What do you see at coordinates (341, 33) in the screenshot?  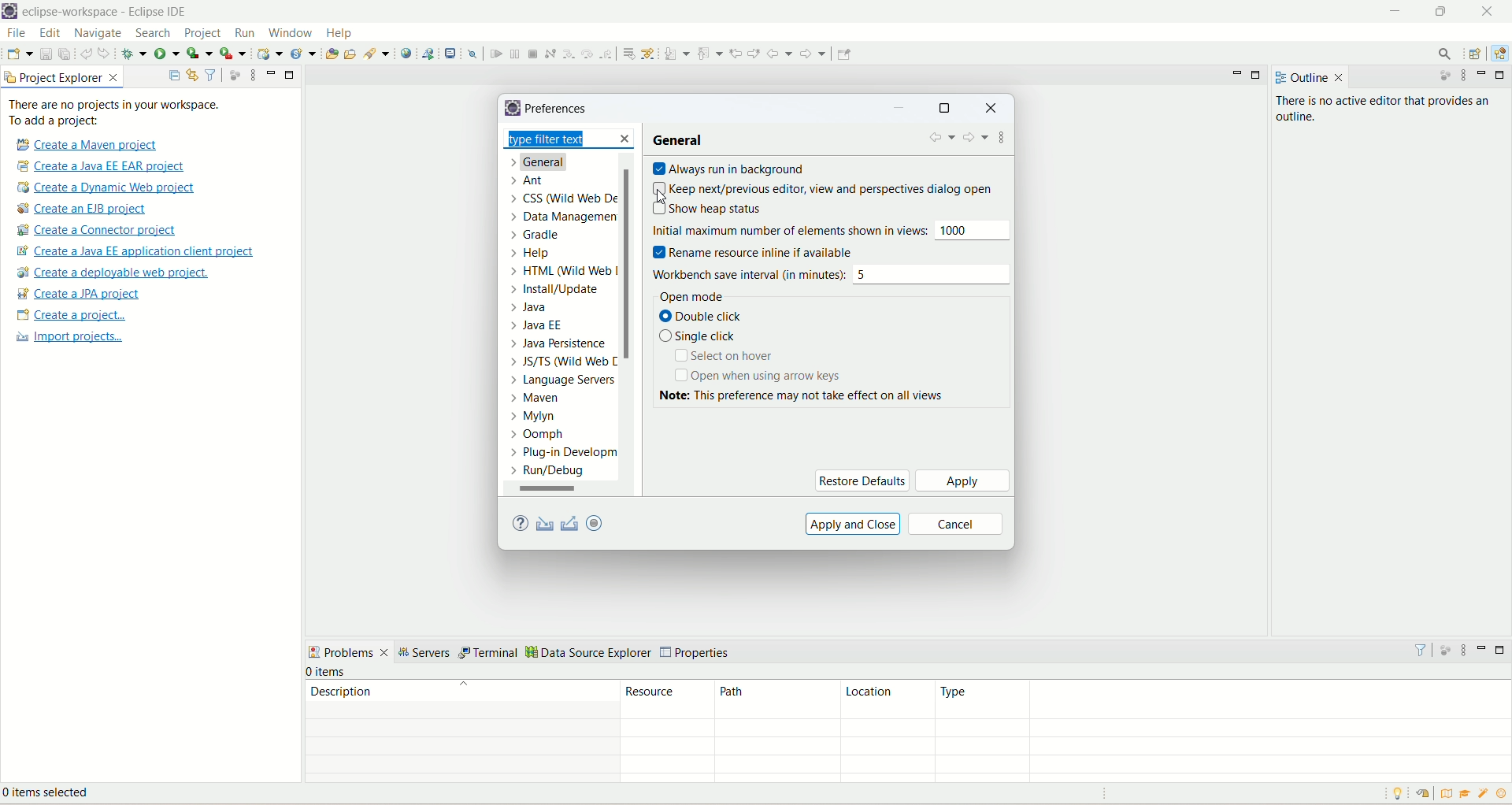 I see `help` at bounding box center [341, 33].